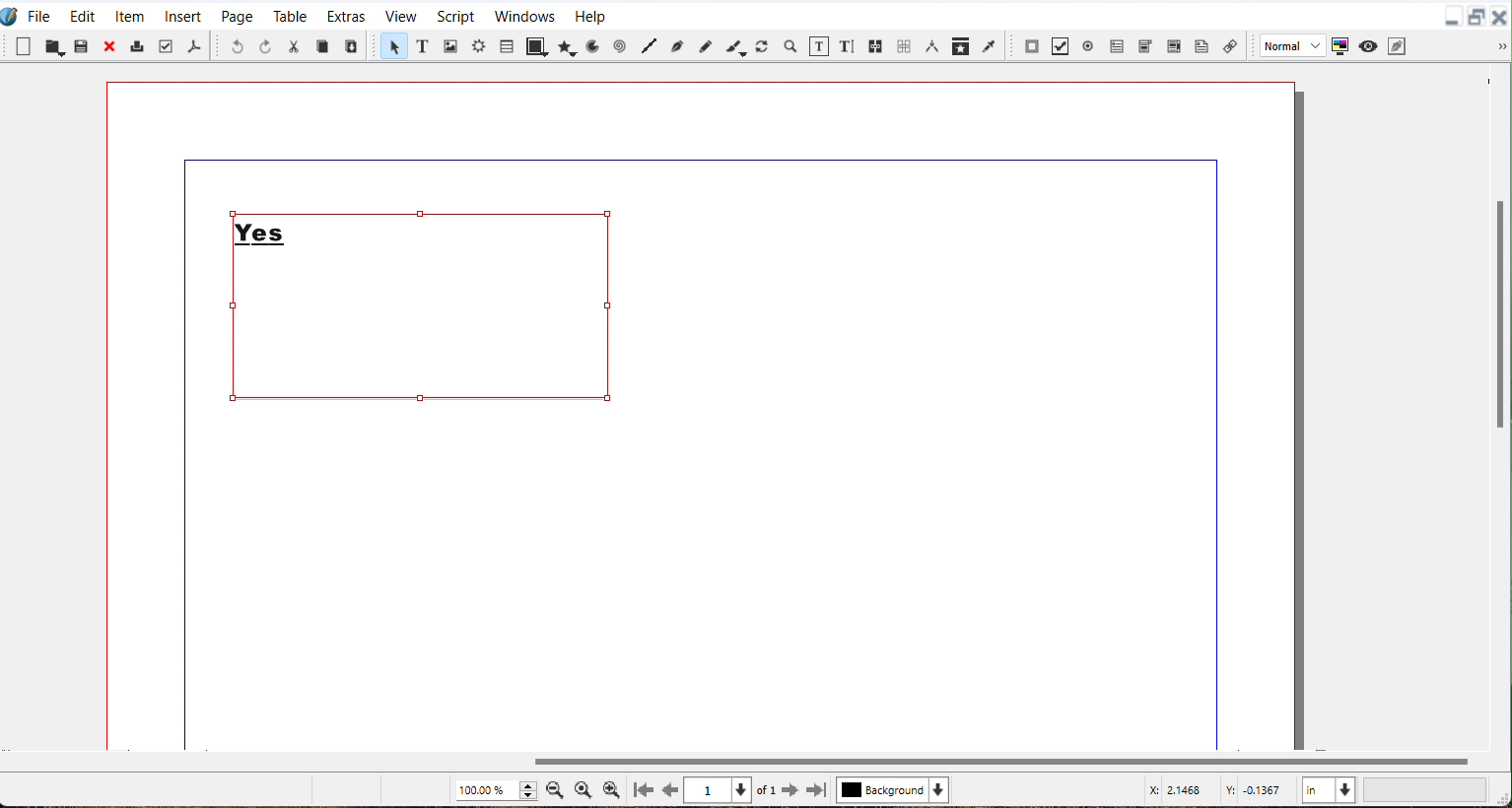 The image size is (1512, 808). I want to click on Go to previous page, so click(673, 790).